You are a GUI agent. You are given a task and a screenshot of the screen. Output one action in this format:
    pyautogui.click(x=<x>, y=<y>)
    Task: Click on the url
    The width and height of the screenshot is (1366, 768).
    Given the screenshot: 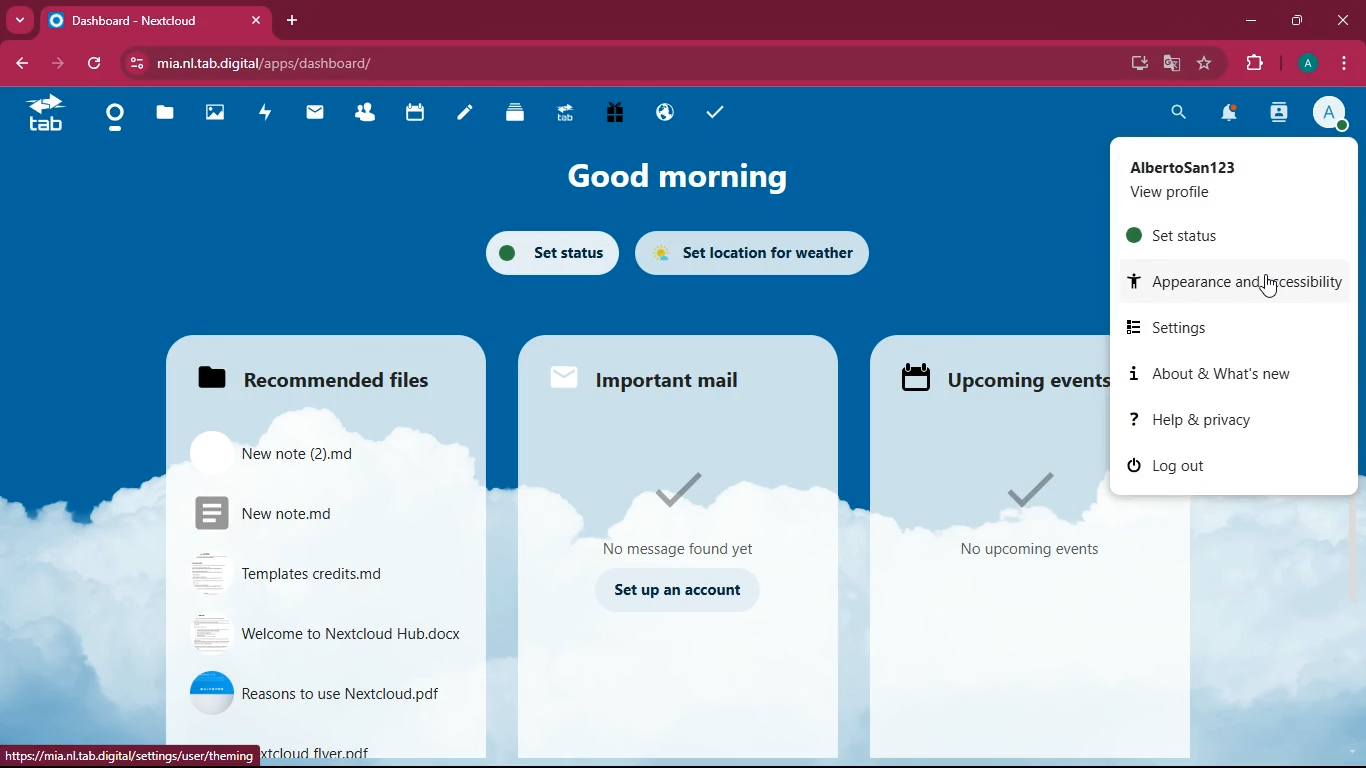 What is the action you would take?
    pyautogui.click(x=133, y=756)
    